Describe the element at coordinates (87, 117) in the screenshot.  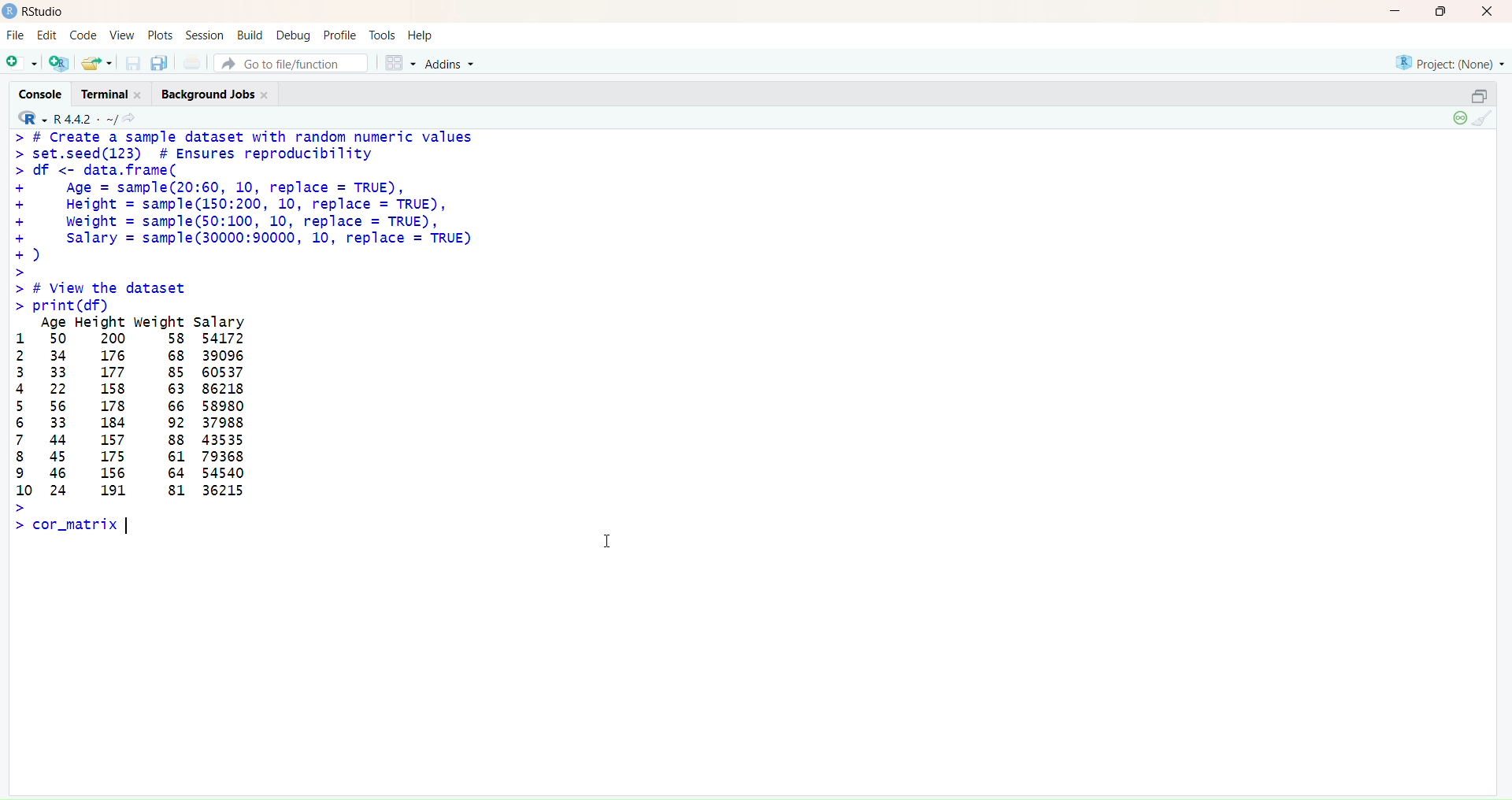
I see `R442/ ~/` at that location.